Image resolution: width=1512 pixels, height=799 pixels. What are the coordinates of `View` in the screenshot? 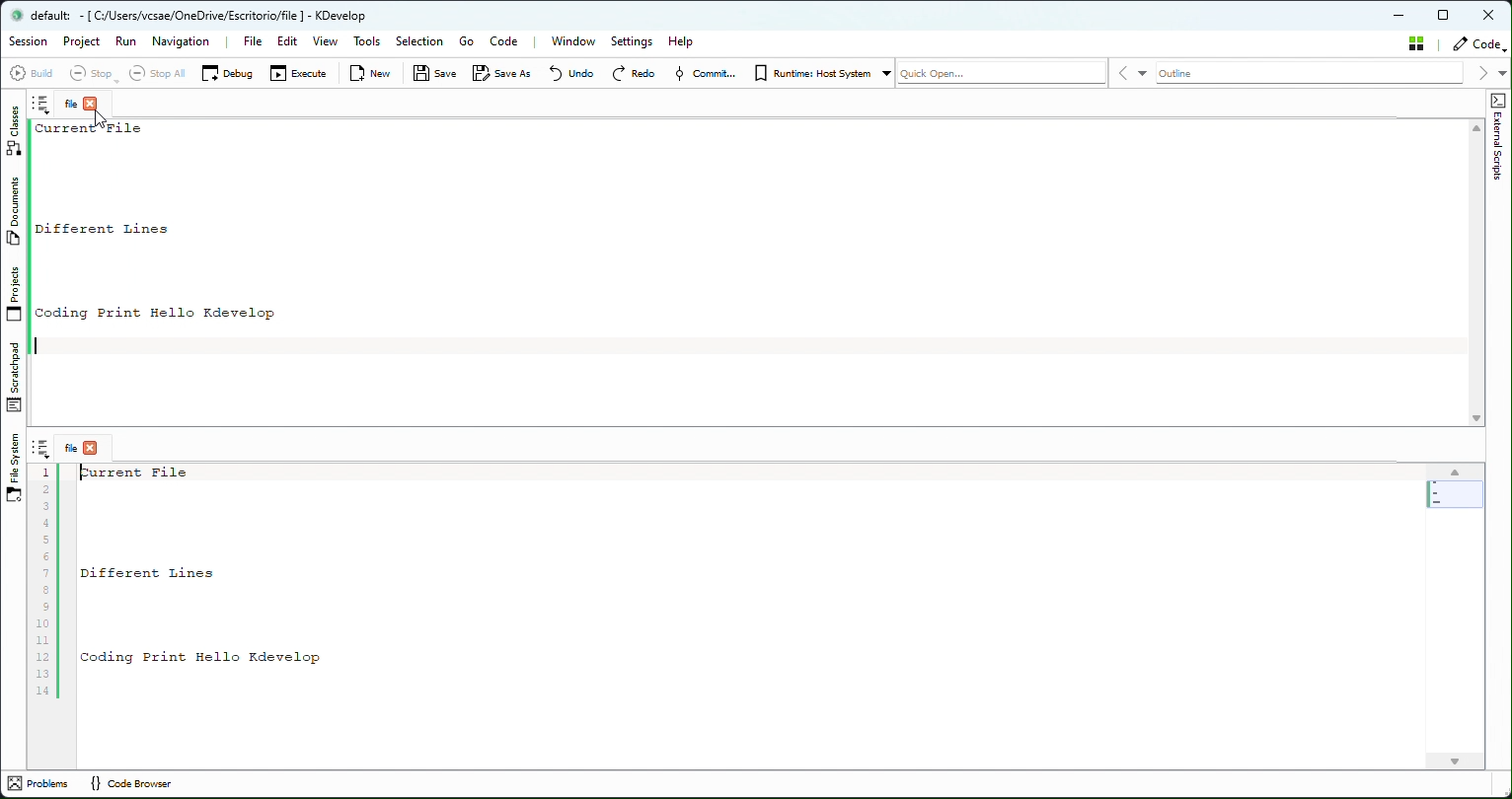 It's located at (327, 42).